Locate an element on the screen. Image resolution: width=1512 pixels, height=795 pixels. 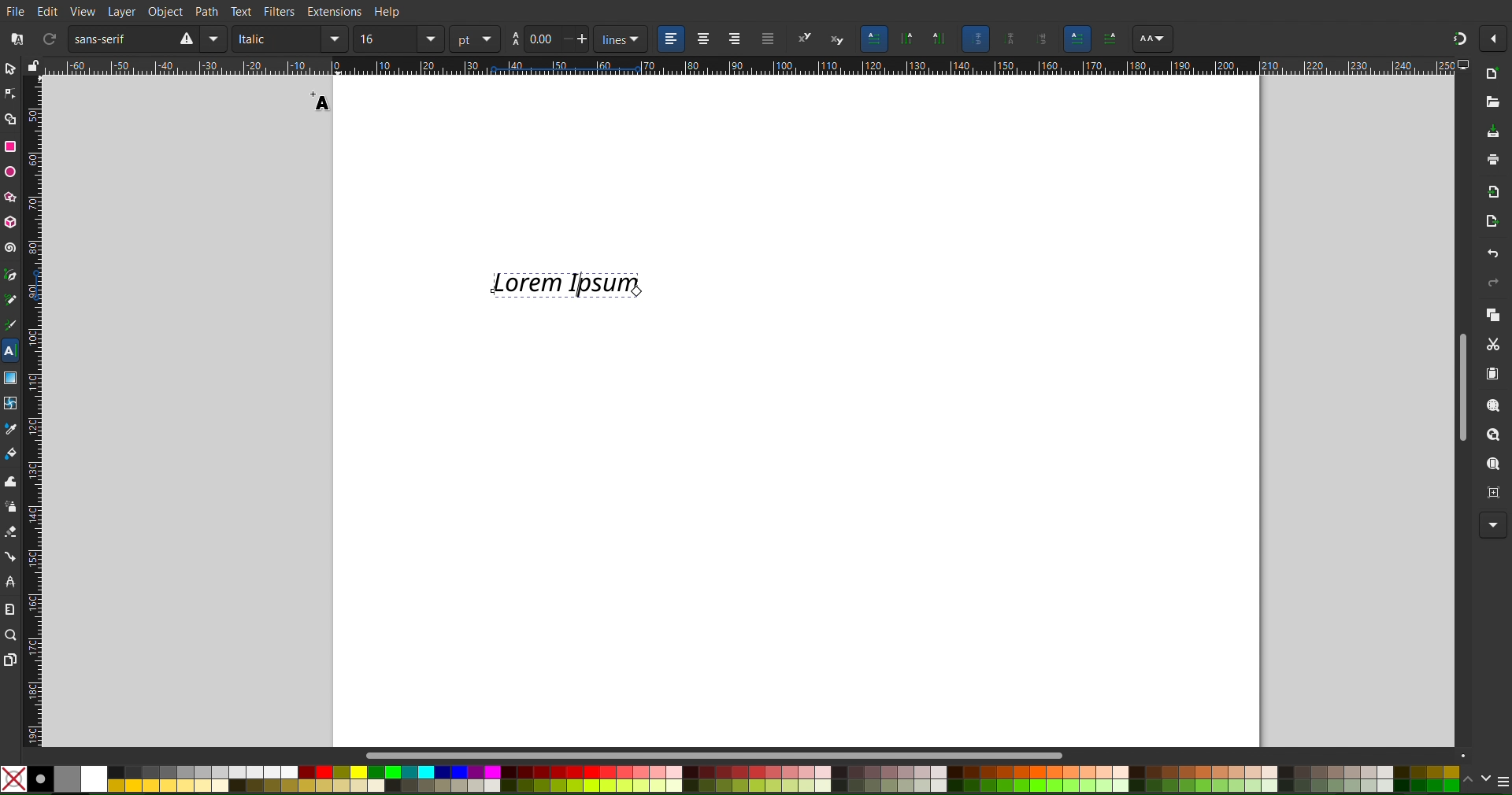
Open Export is located at coordinates (1489, 223).